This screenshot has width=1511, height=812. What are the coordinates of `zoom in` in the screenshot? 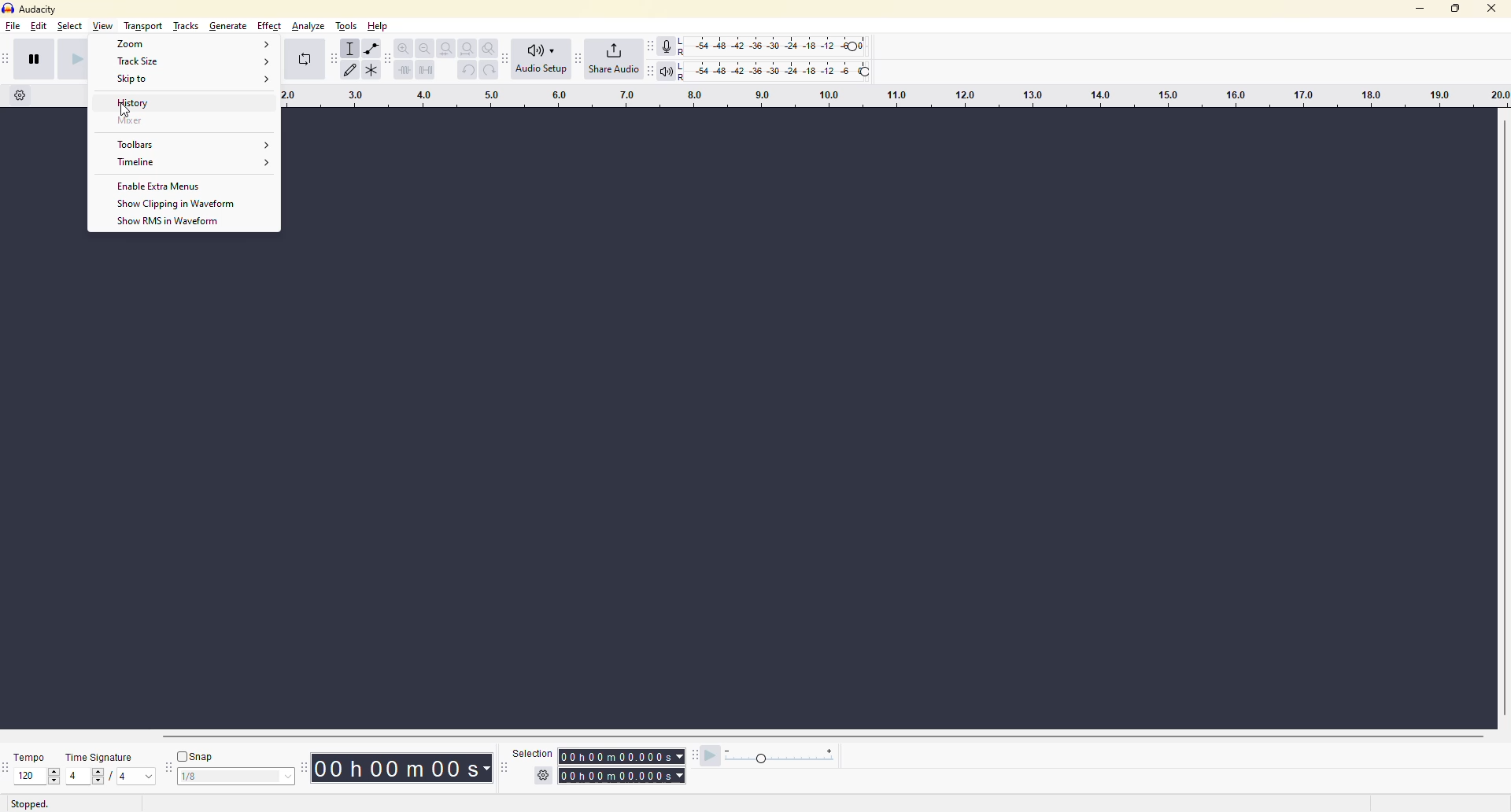 It's located at (405, 49).